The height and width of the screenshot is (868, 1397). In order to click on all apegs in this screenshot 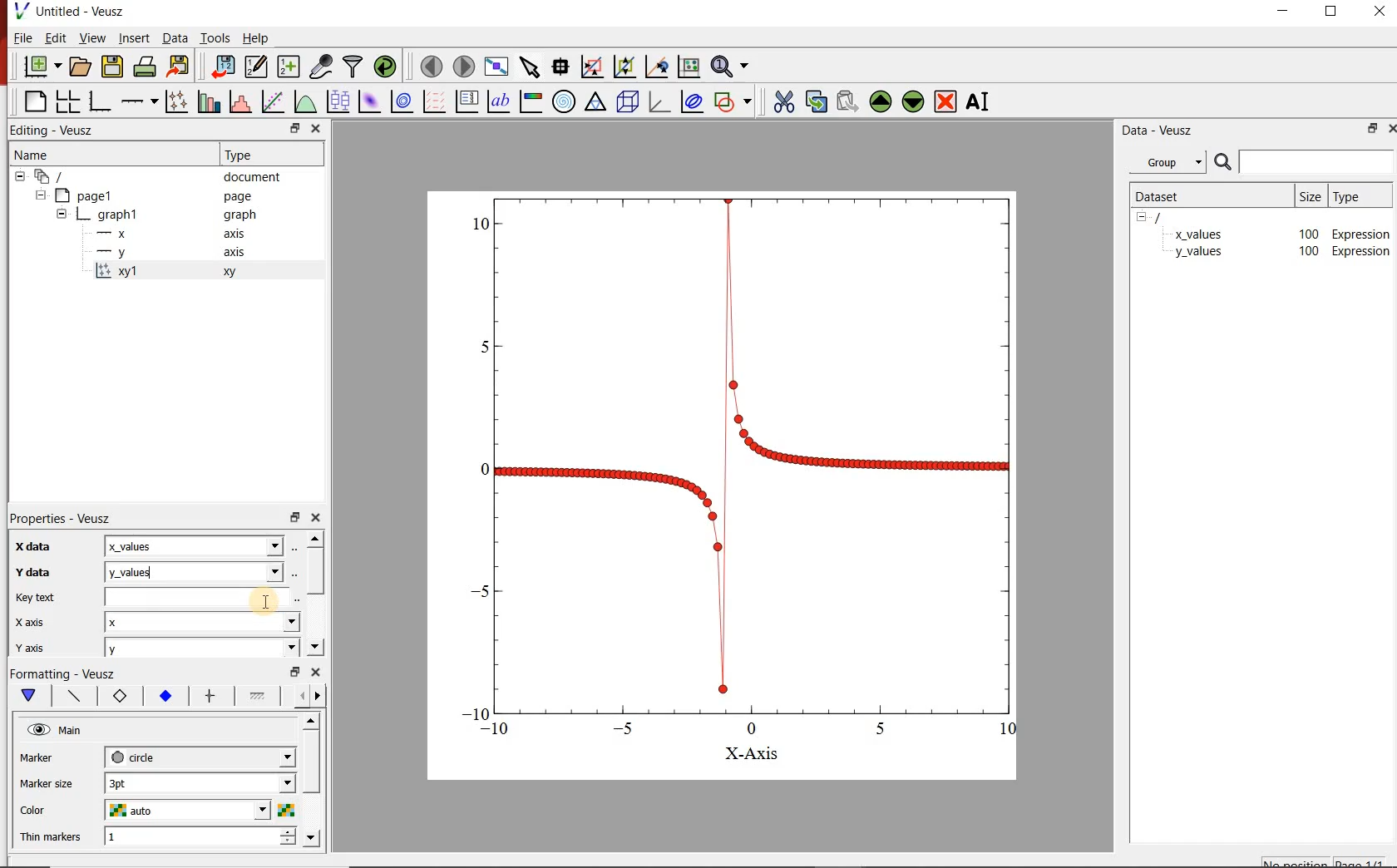, I will do `click(58, 176)`.